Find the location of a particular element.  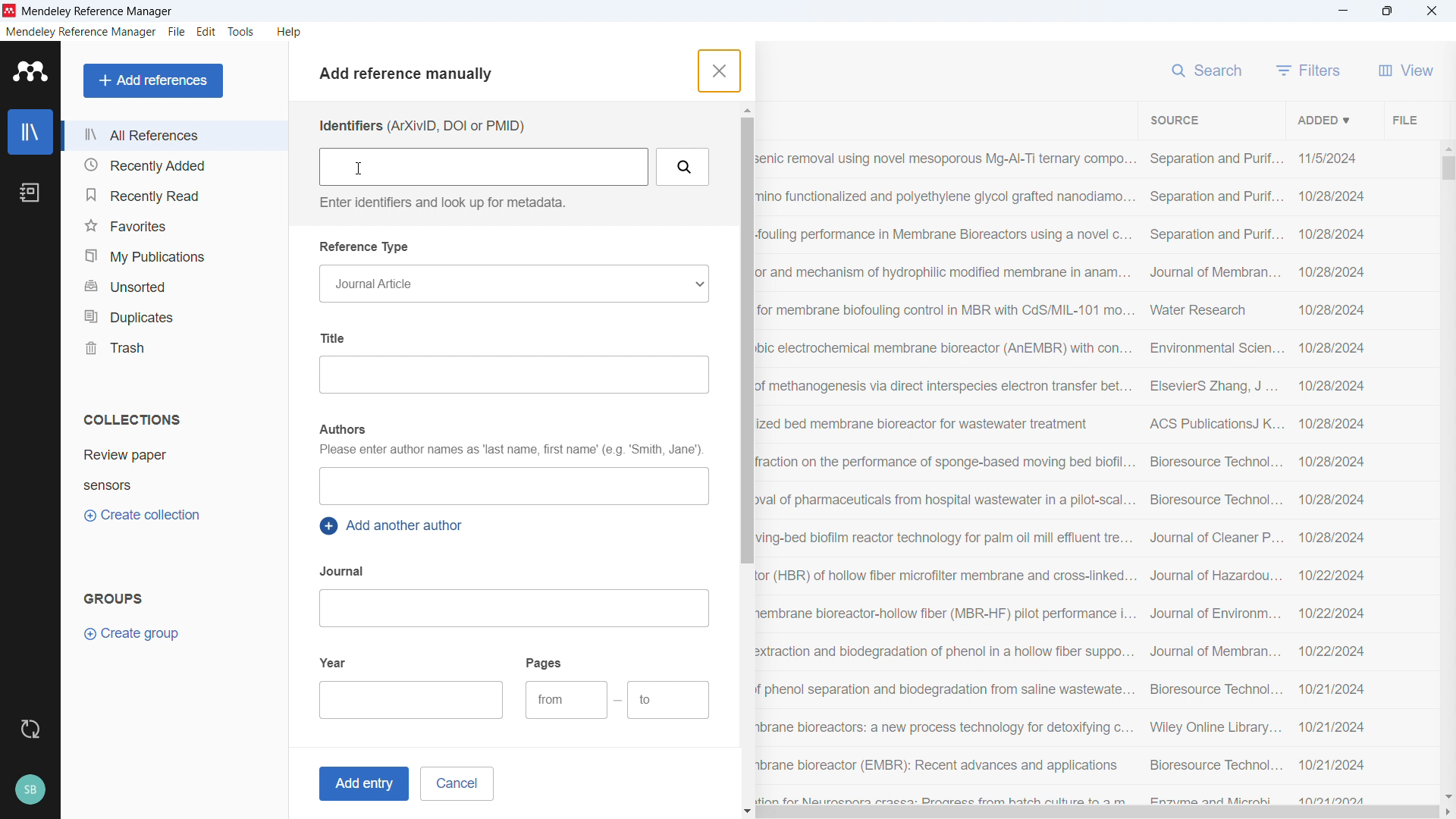

 Scroll up is located at coordinates (745, 110).